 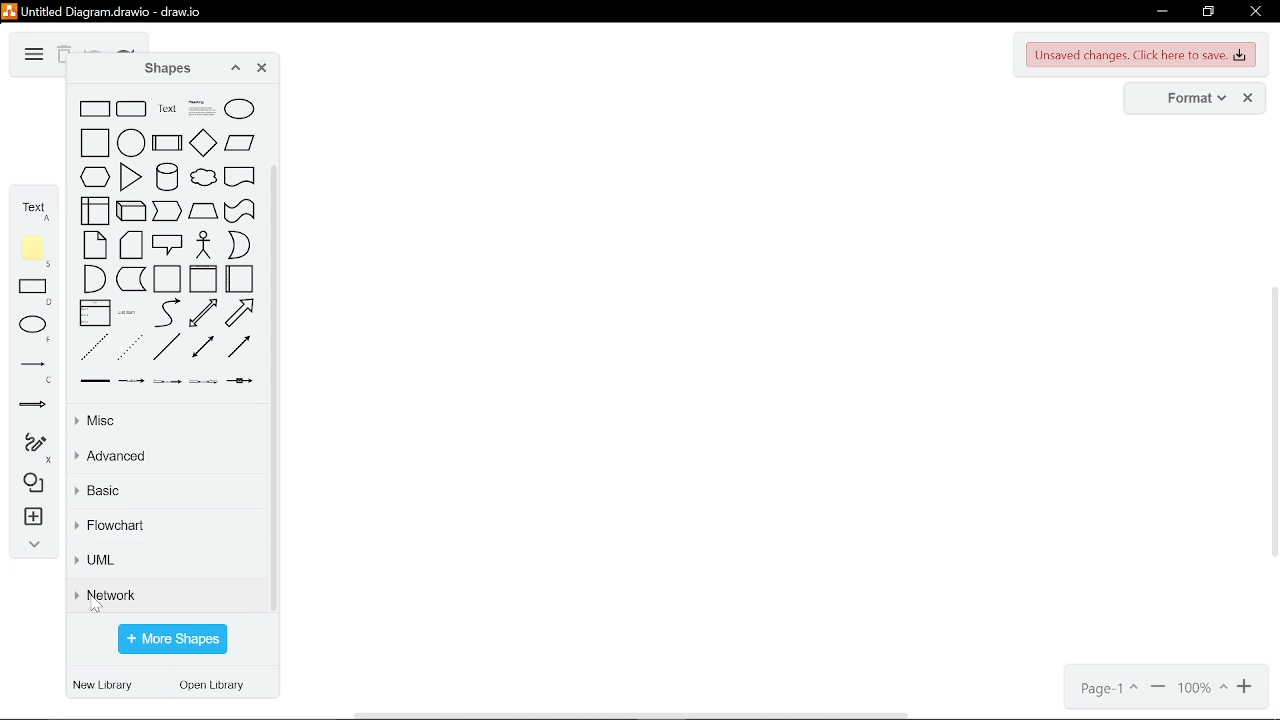 I want to click on list, so click(x=95, y=312).